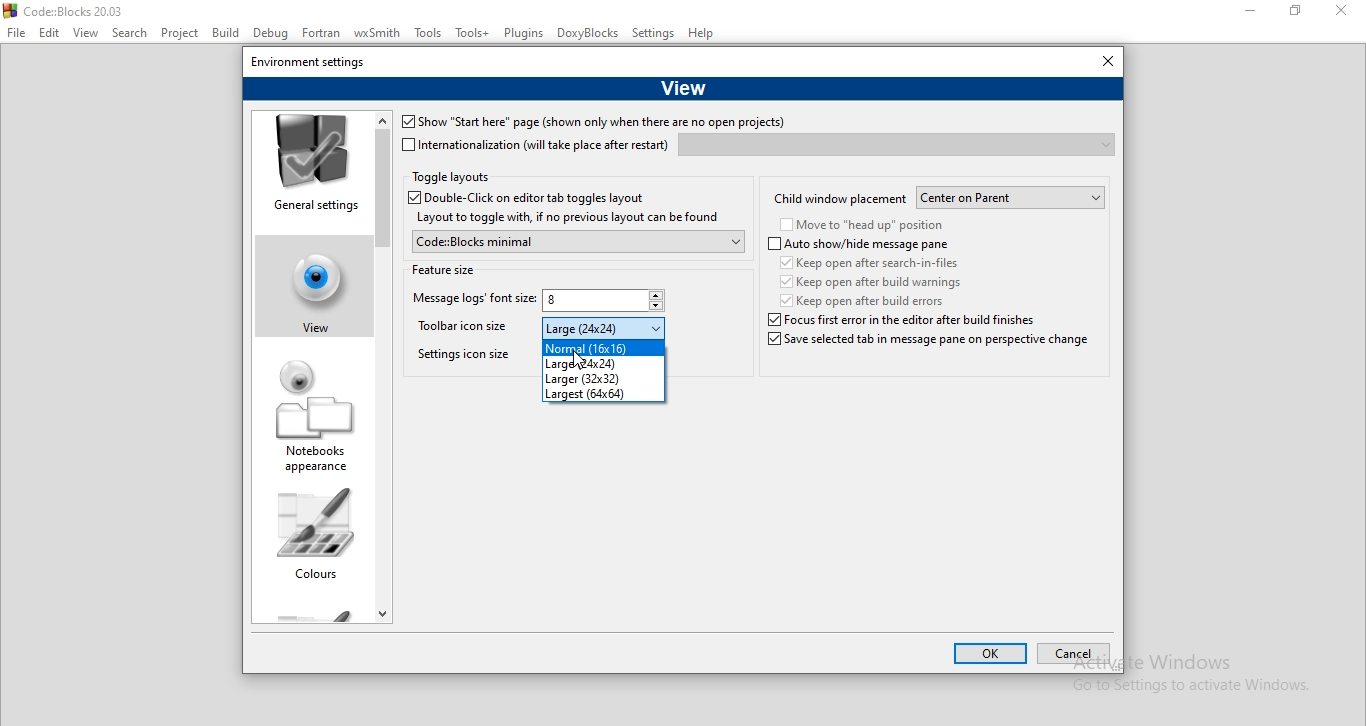 This screenshot has height=726, width=1366. What do you see at coordinates (524, 33) in the screenshot?
I see `Plugins` at bounding box center [524, 33].